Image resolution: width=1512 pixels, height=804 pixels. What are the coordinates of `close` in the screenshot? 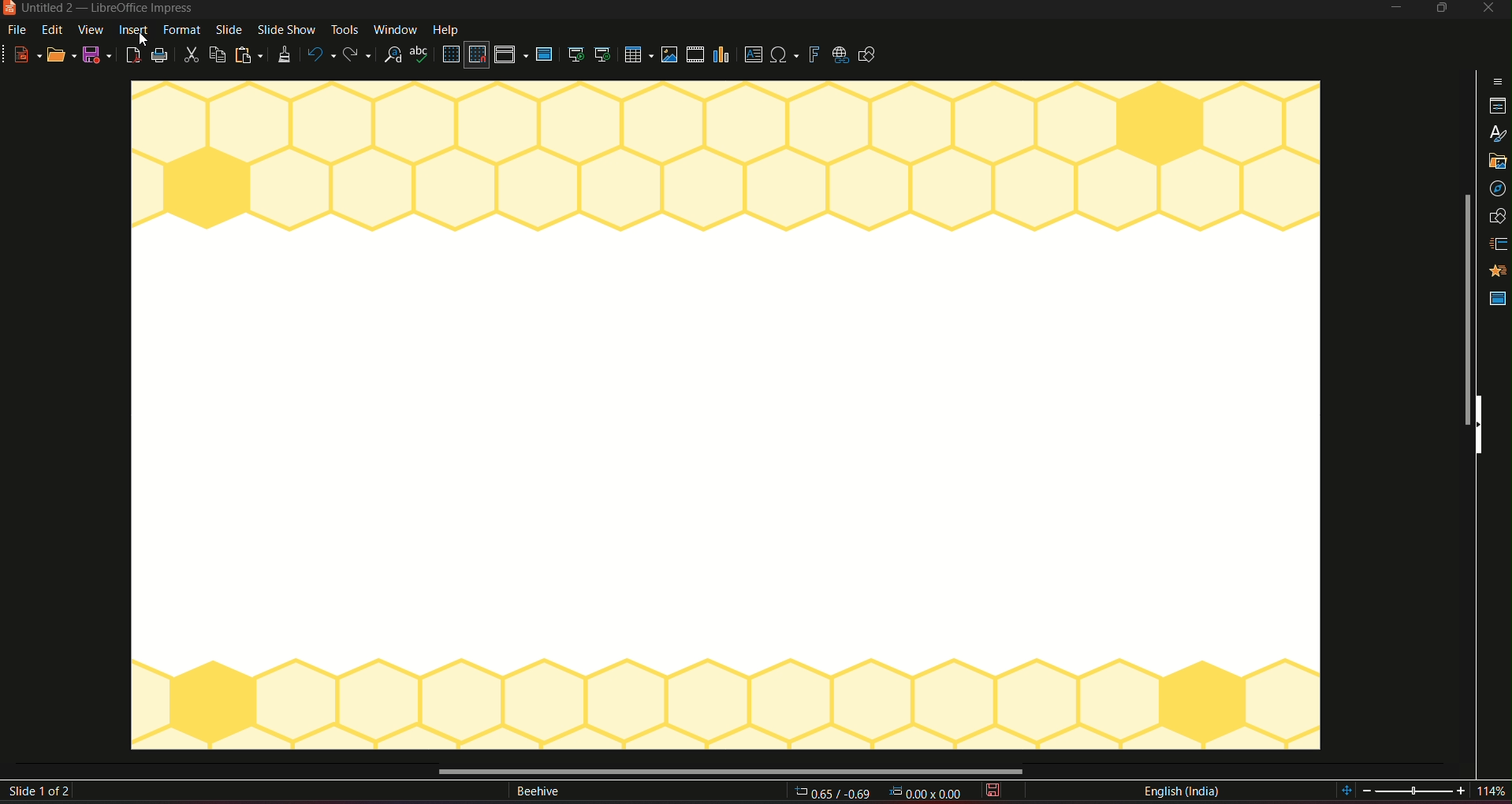 It's located at (1488, 9).